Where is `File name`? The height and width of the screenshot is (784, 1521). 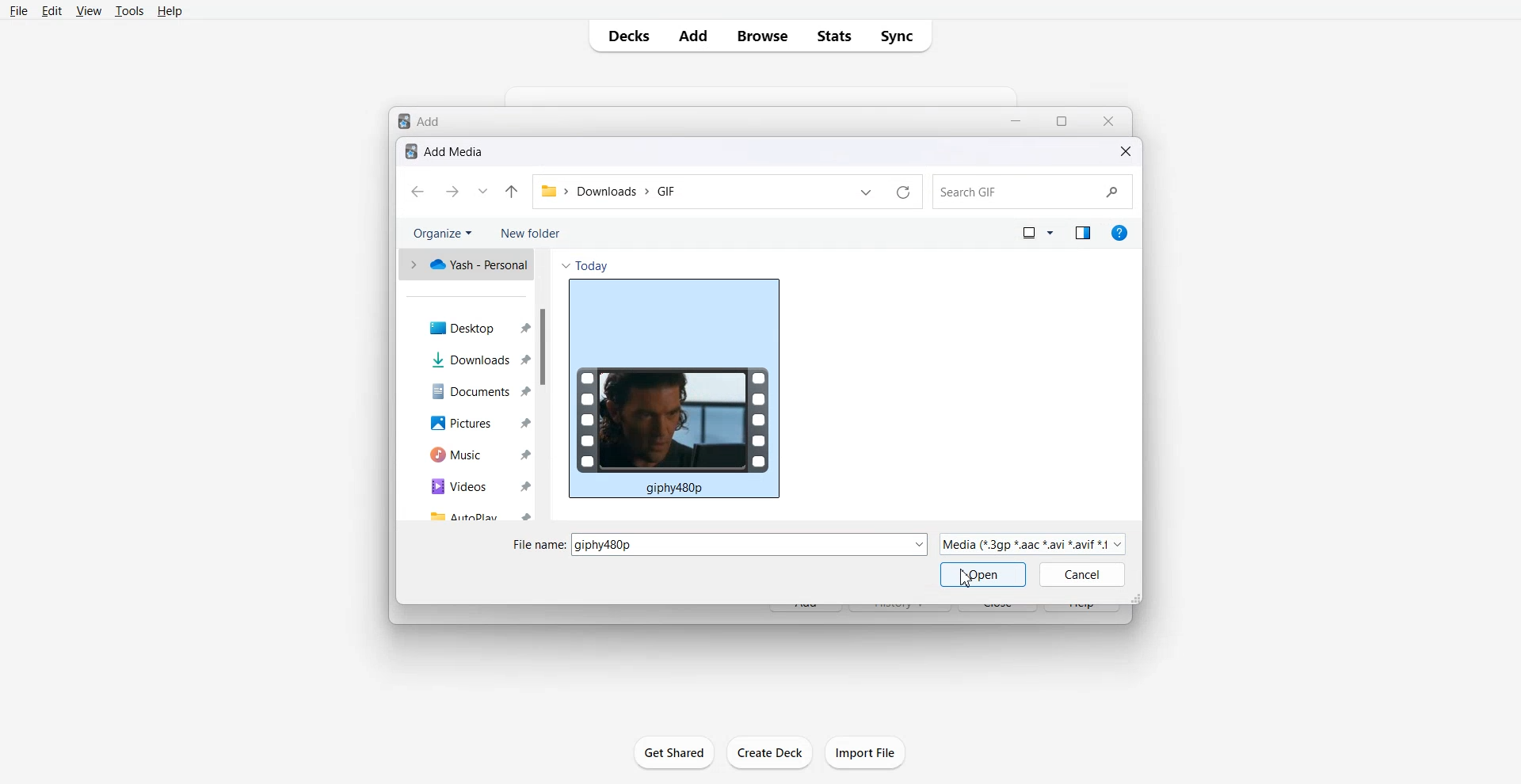 File name is located at coordinates (539, 545).